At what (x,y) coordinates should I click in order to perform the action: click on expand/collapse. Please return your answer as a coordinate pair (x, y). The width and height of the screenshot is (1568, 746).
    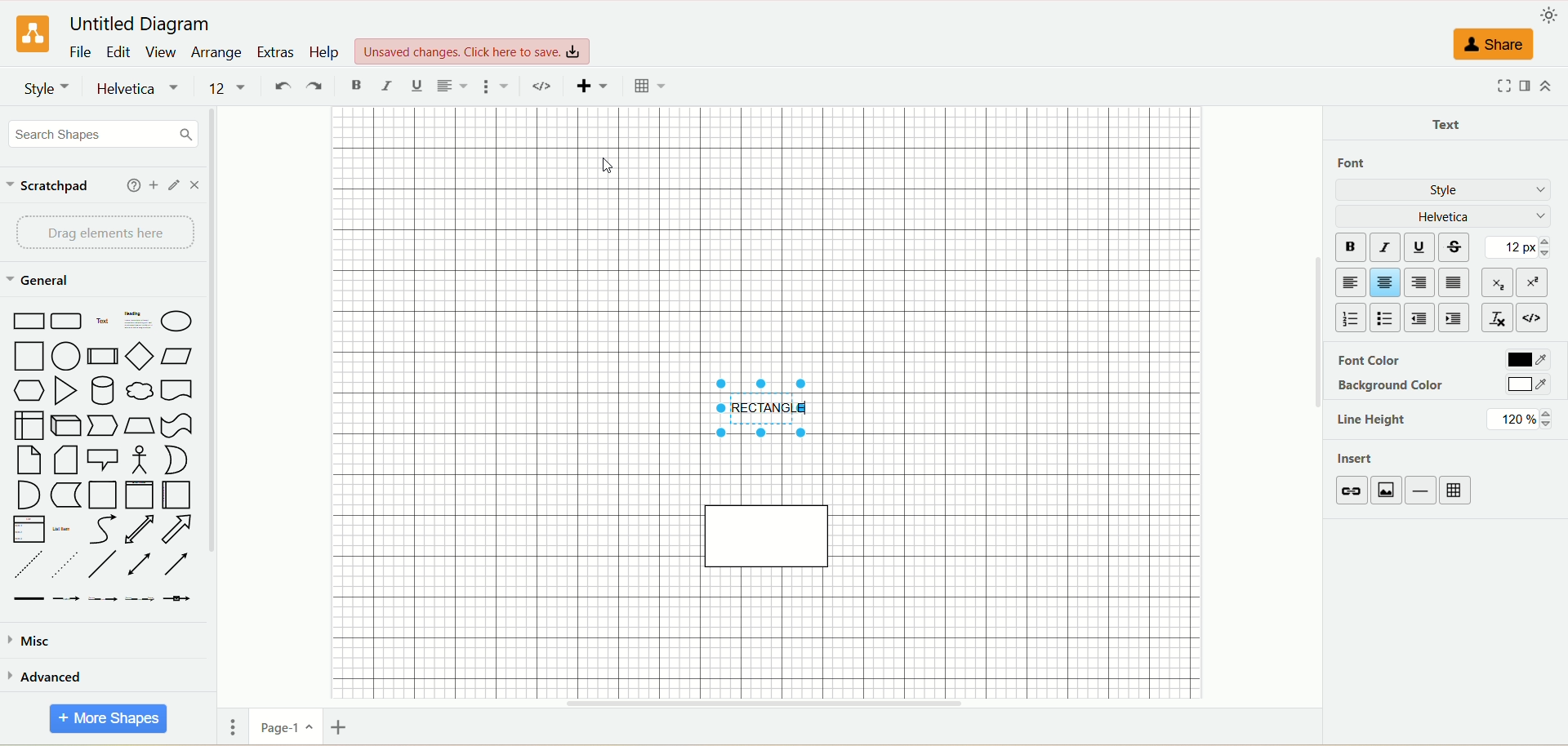
    Looking at the image, I should click on (1552, 85).